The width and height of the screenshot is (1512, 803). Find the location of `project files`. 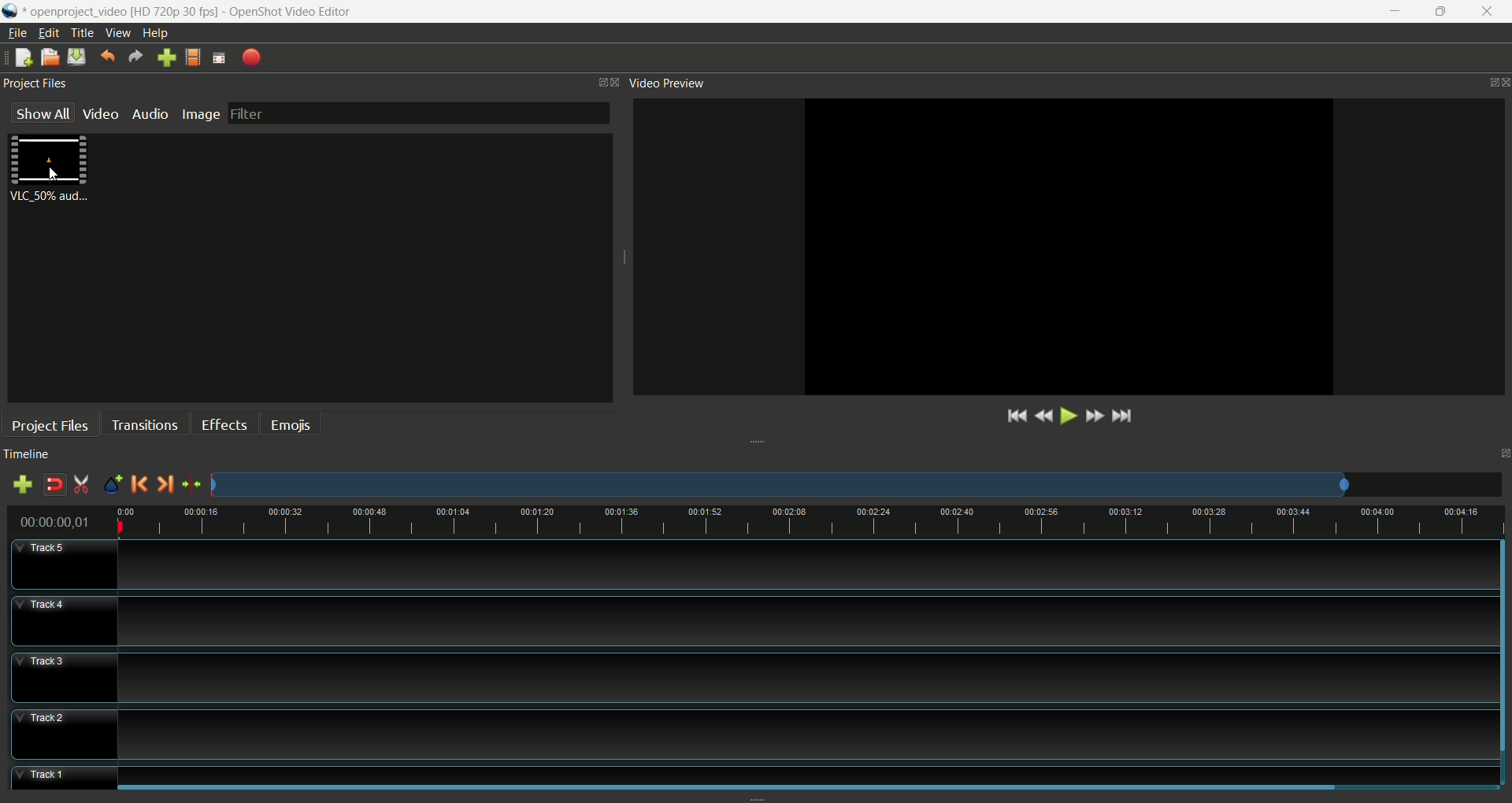

project files is located at coordinates (35, 83).